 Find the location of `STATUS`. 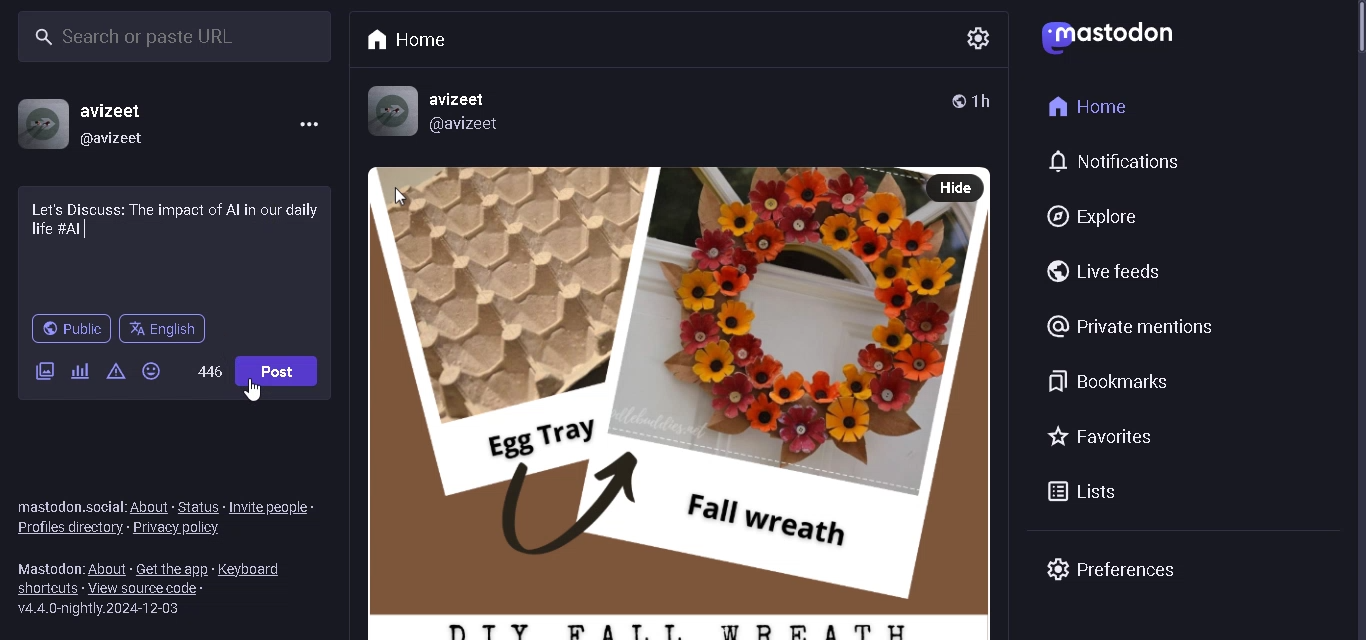

STATUS is located at coordinates (199, 506).